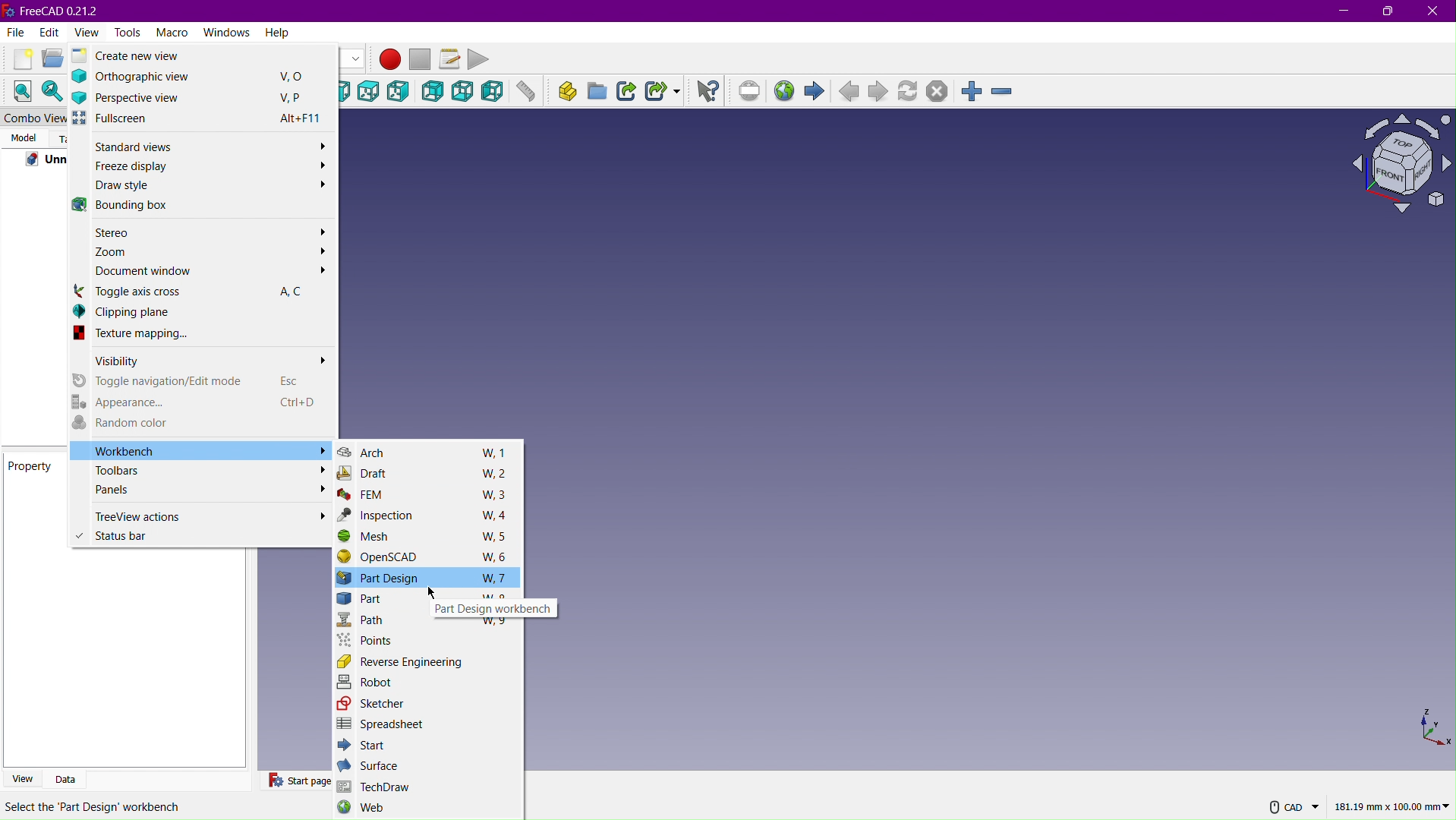 The height and width of the screenshot is (820, 1456). I want to click on Stop loading, so click(939, 92).